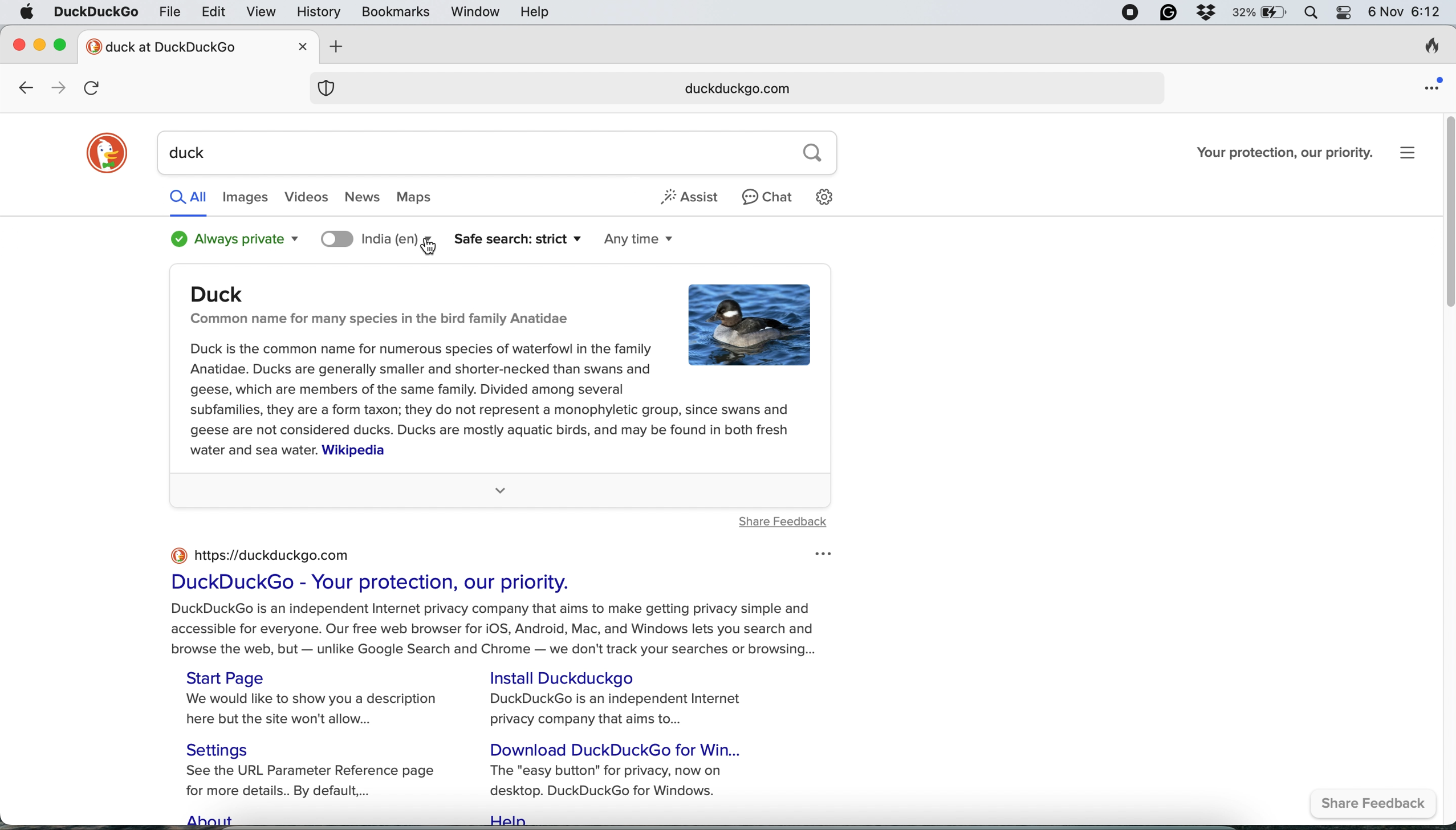 This screenshot has width=1456, height=830. I want to click on open application menu, so click(1434, 83).